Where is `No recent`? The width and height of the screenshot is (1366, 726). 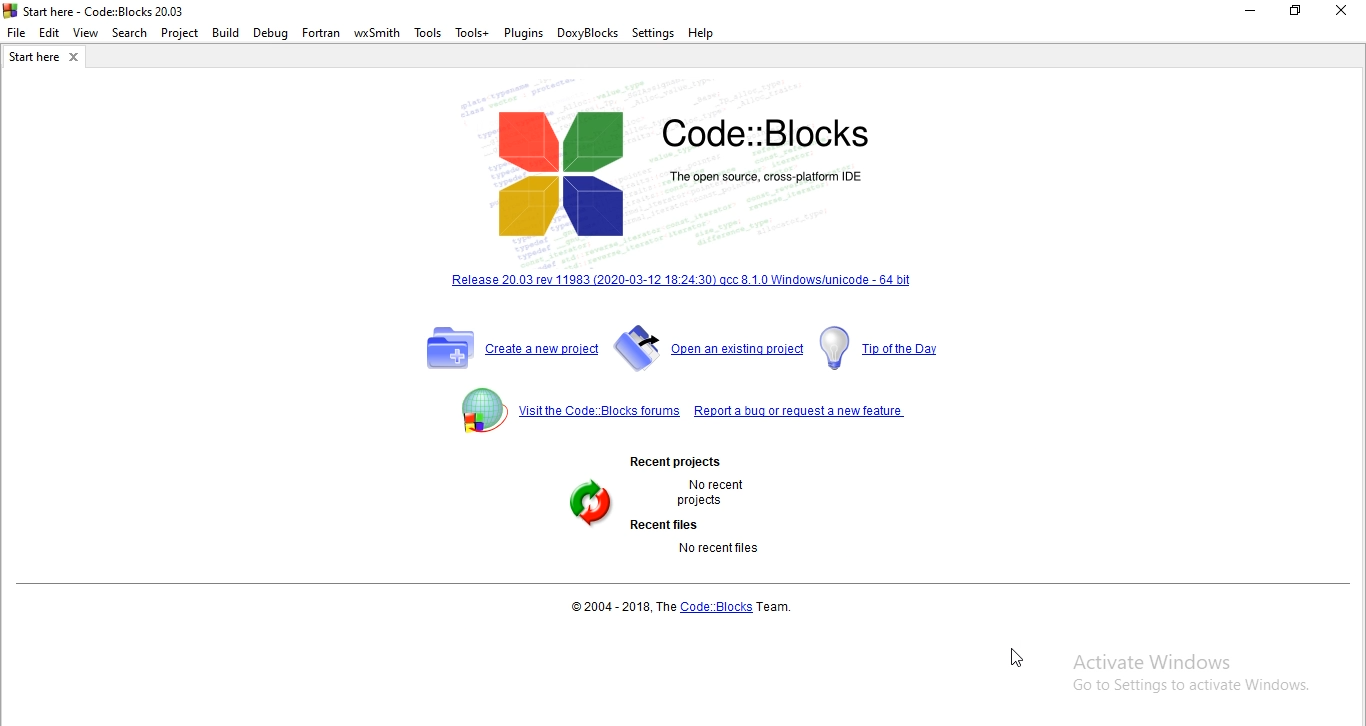 No recent is located at coordinates (717, 482).